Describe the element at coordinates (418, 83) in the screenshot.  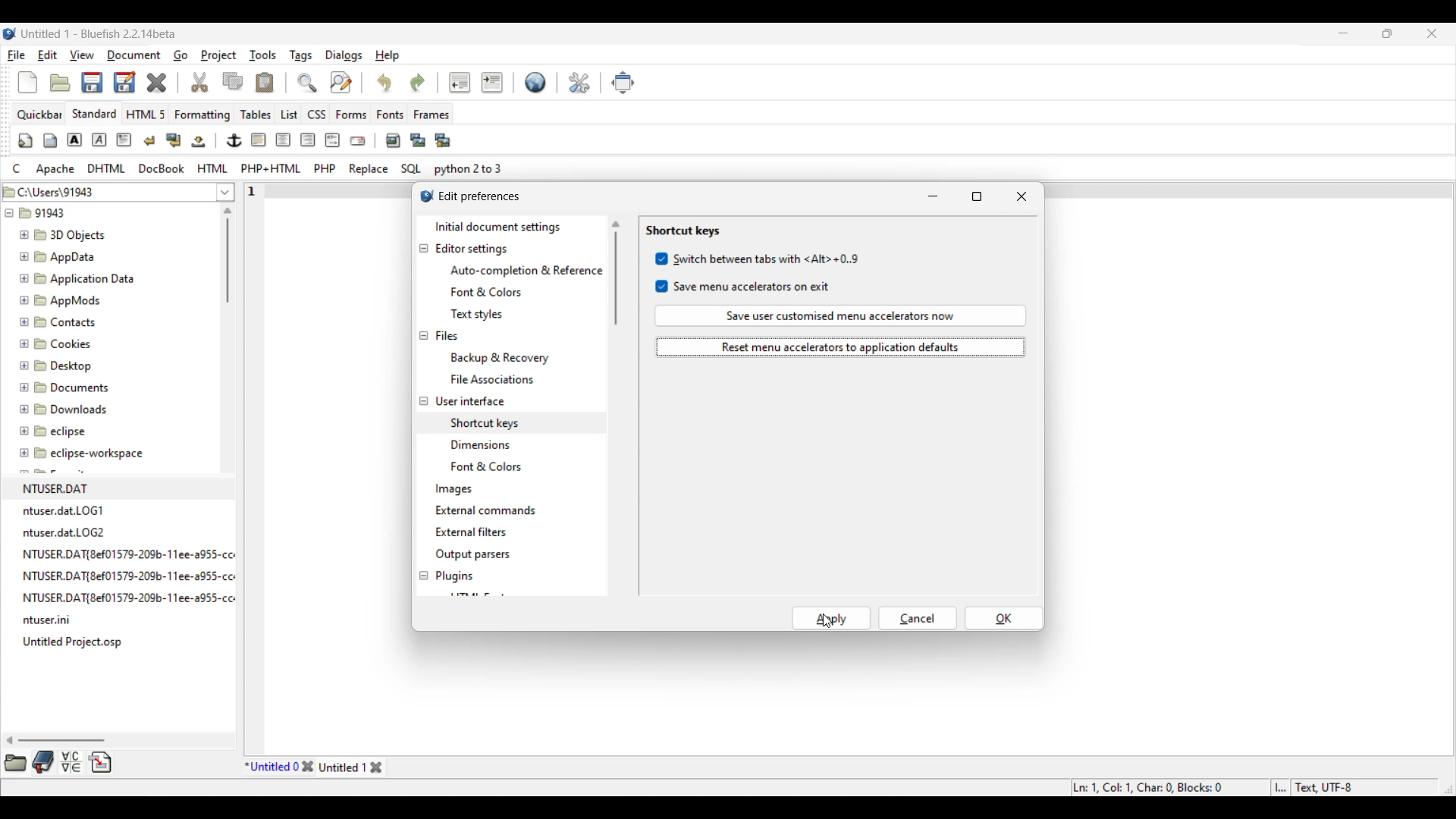
I see `Redo` at that location.